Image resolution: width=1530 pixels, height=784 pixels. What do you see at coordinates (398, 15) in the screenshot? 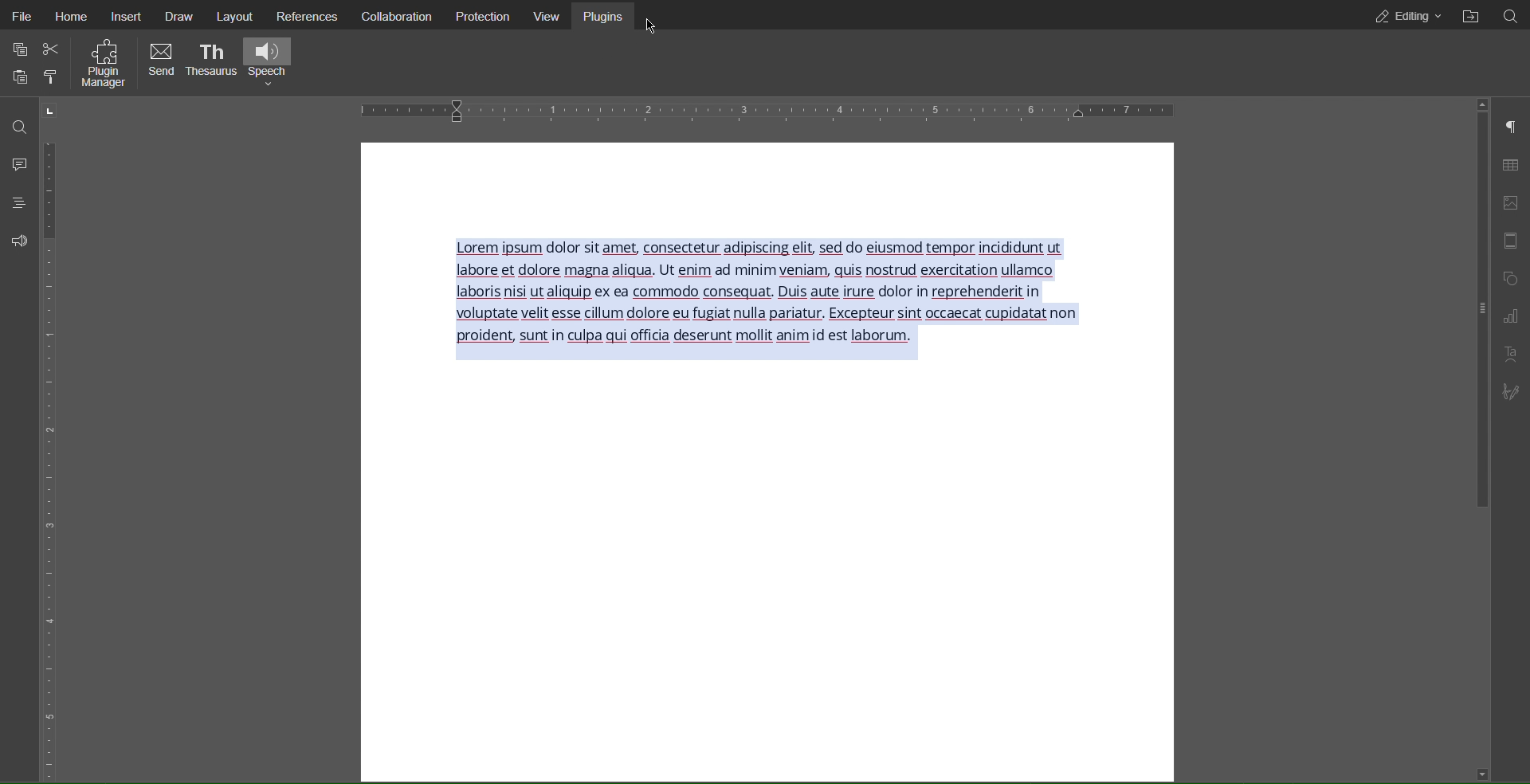
I see `Collaboration` at bounding box center [398, 15].